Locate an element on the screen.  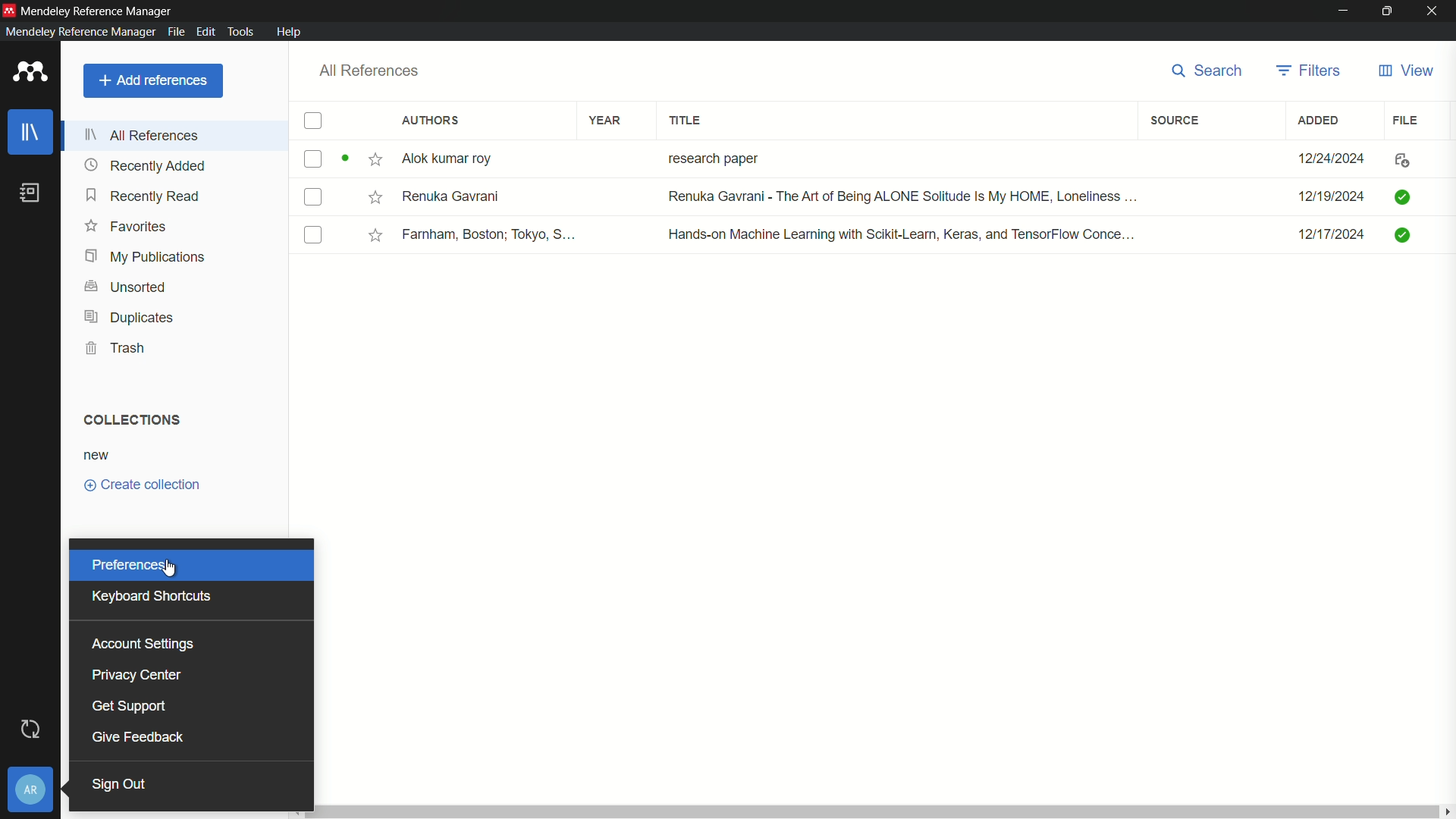
favorites is located at coordinates (129, 227).